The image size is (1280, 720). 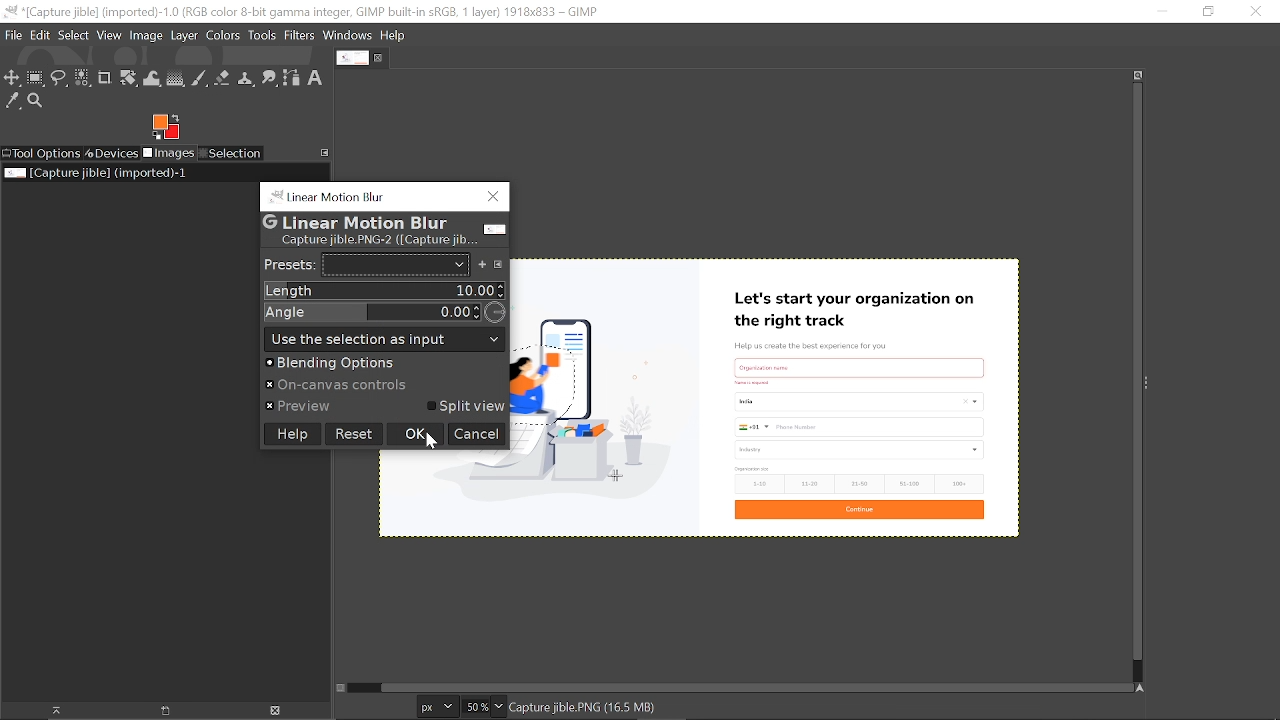 I want to click on Unified transform tool, so click(x=128, y=79).